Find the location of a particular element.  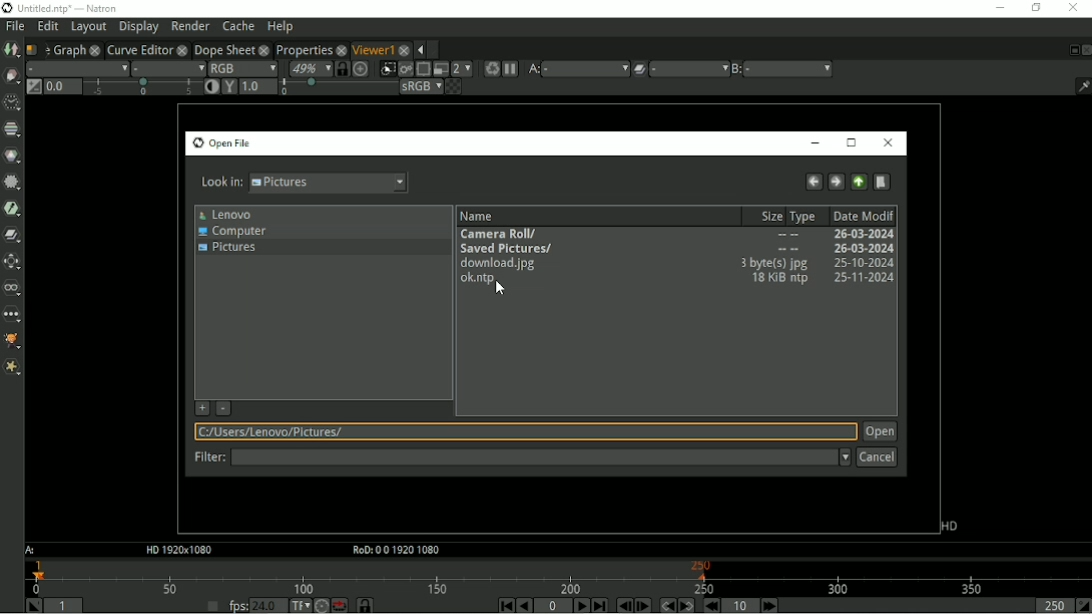

Synchronize is located at coordinates (366, 605).